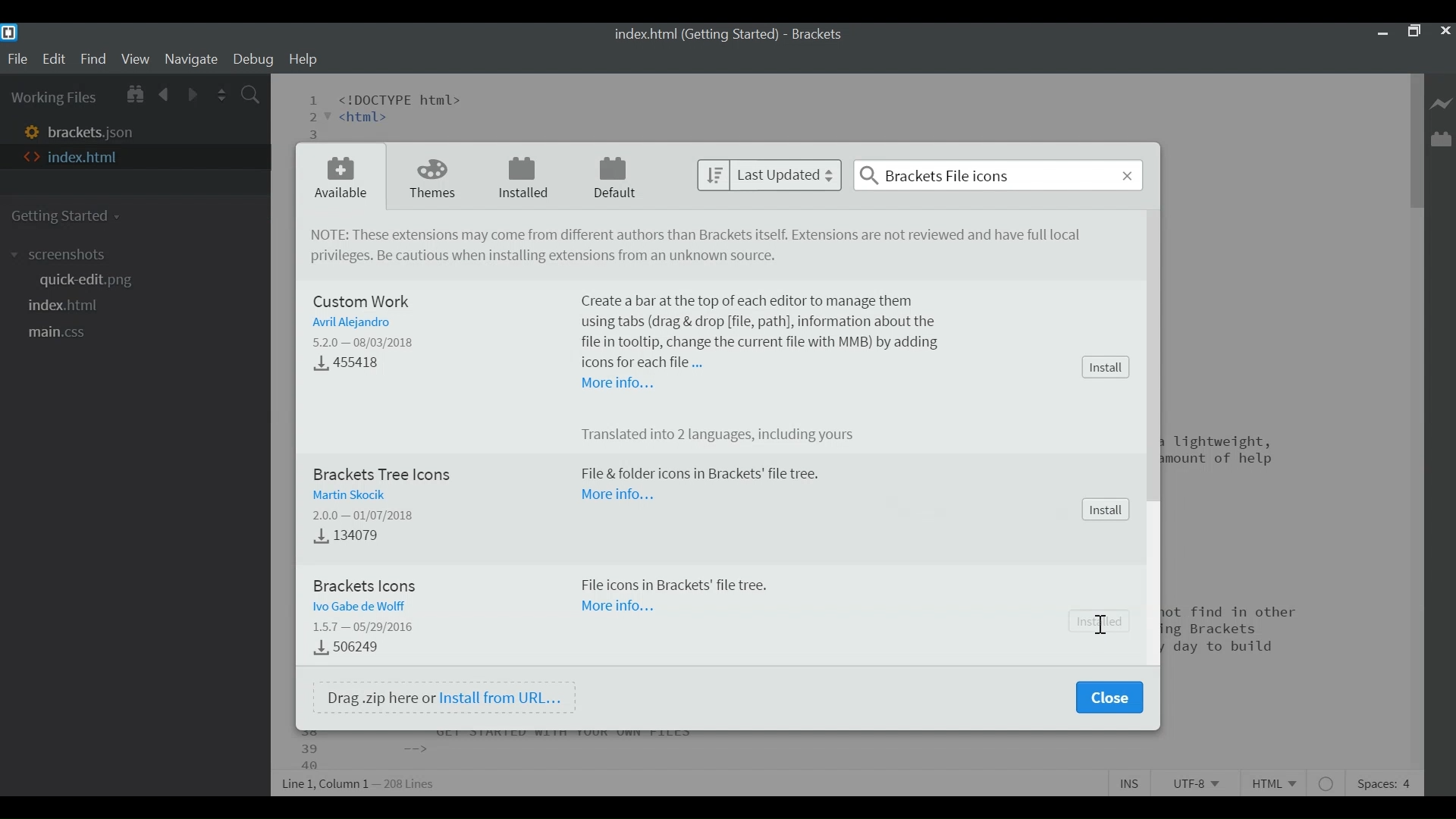 The height and width of the screenshot is (819, 1456). Describe the element at coordinates (98, 130) in the screenshot. I see `bracket.json` at that location.